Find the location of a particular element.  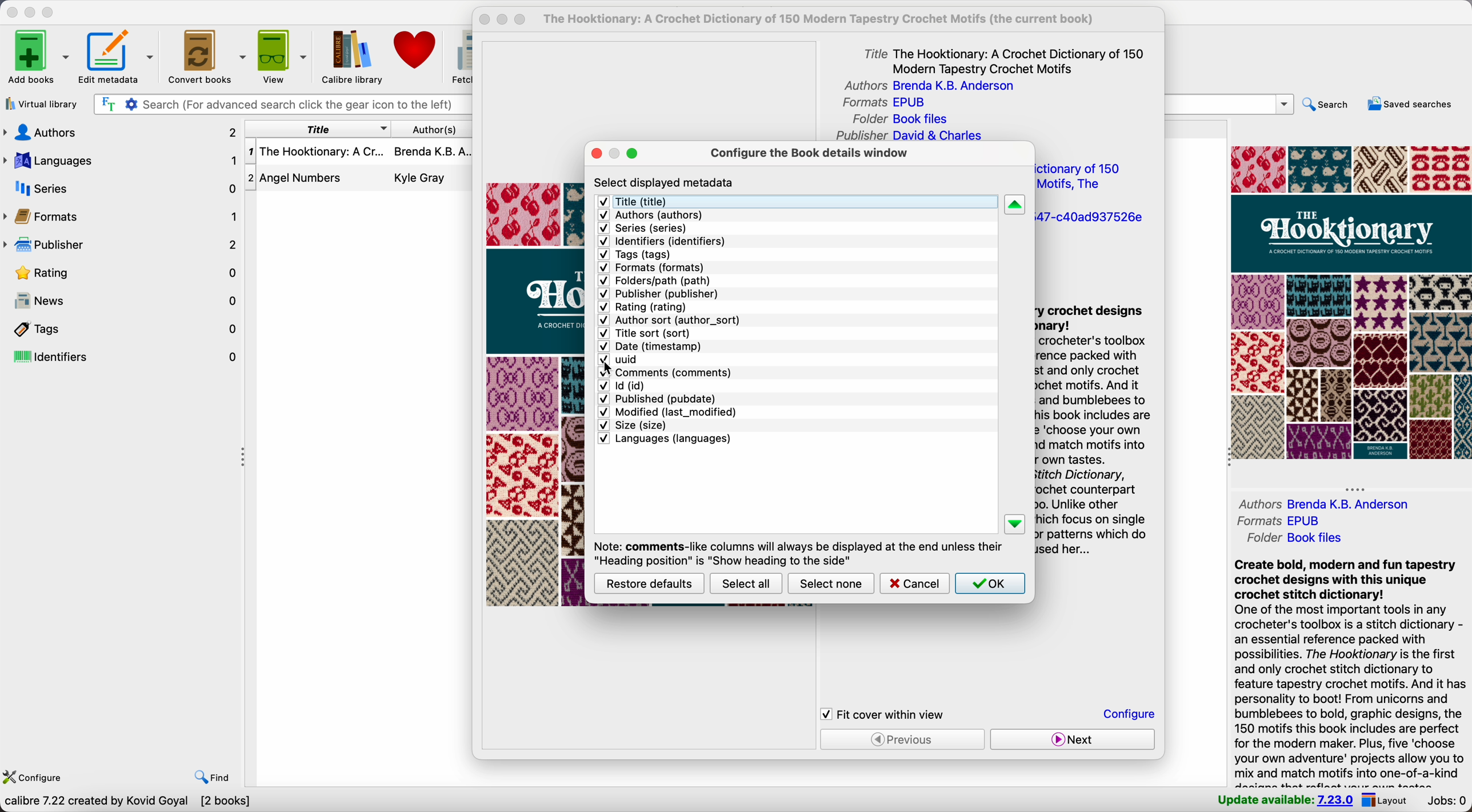

current book is located at coordinates (826, 19).